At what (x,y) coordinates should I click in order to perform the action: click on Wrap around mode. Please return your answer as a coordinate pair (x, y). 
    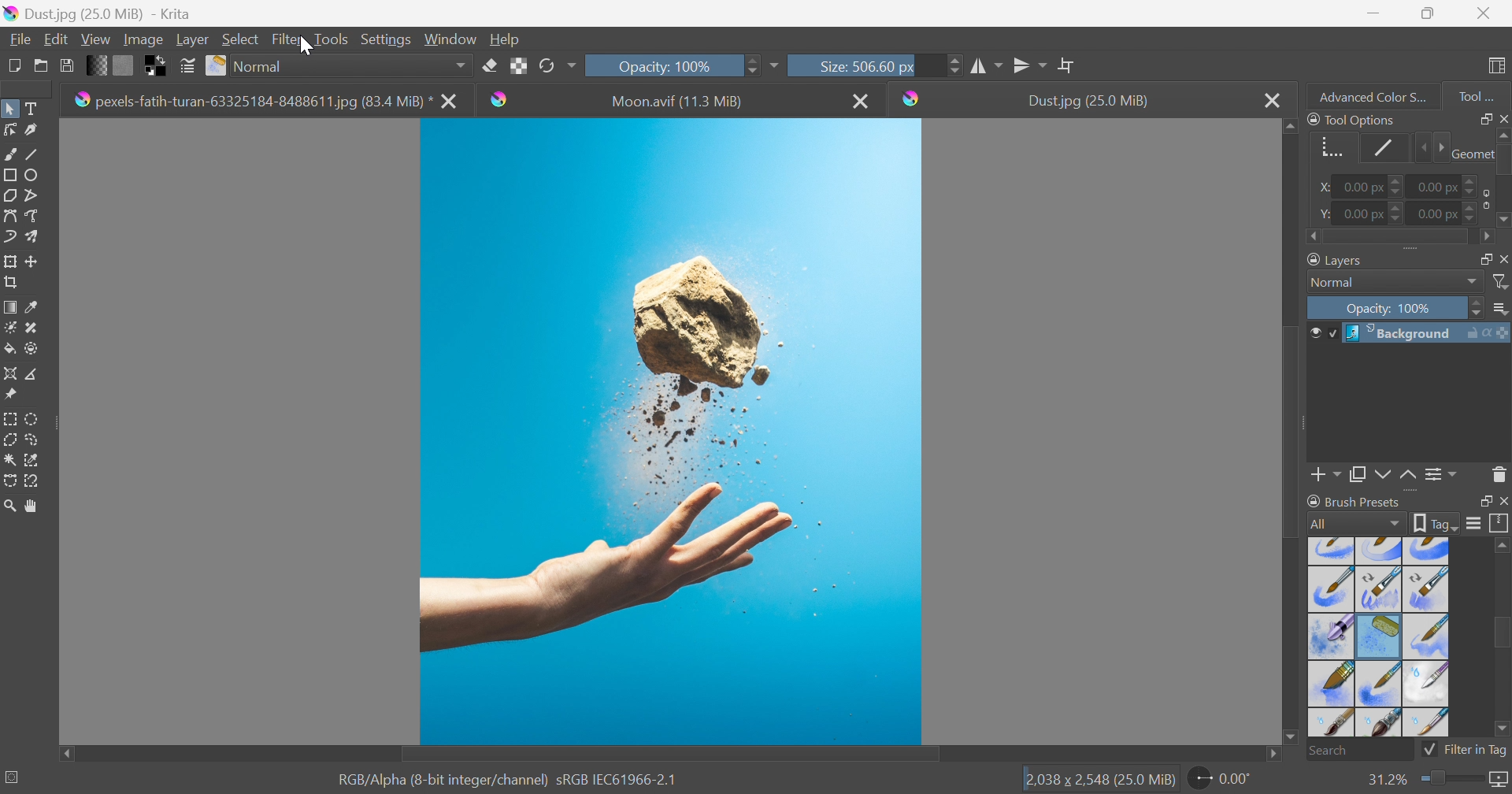
    Looking at the image, I should click on (1069, 65).